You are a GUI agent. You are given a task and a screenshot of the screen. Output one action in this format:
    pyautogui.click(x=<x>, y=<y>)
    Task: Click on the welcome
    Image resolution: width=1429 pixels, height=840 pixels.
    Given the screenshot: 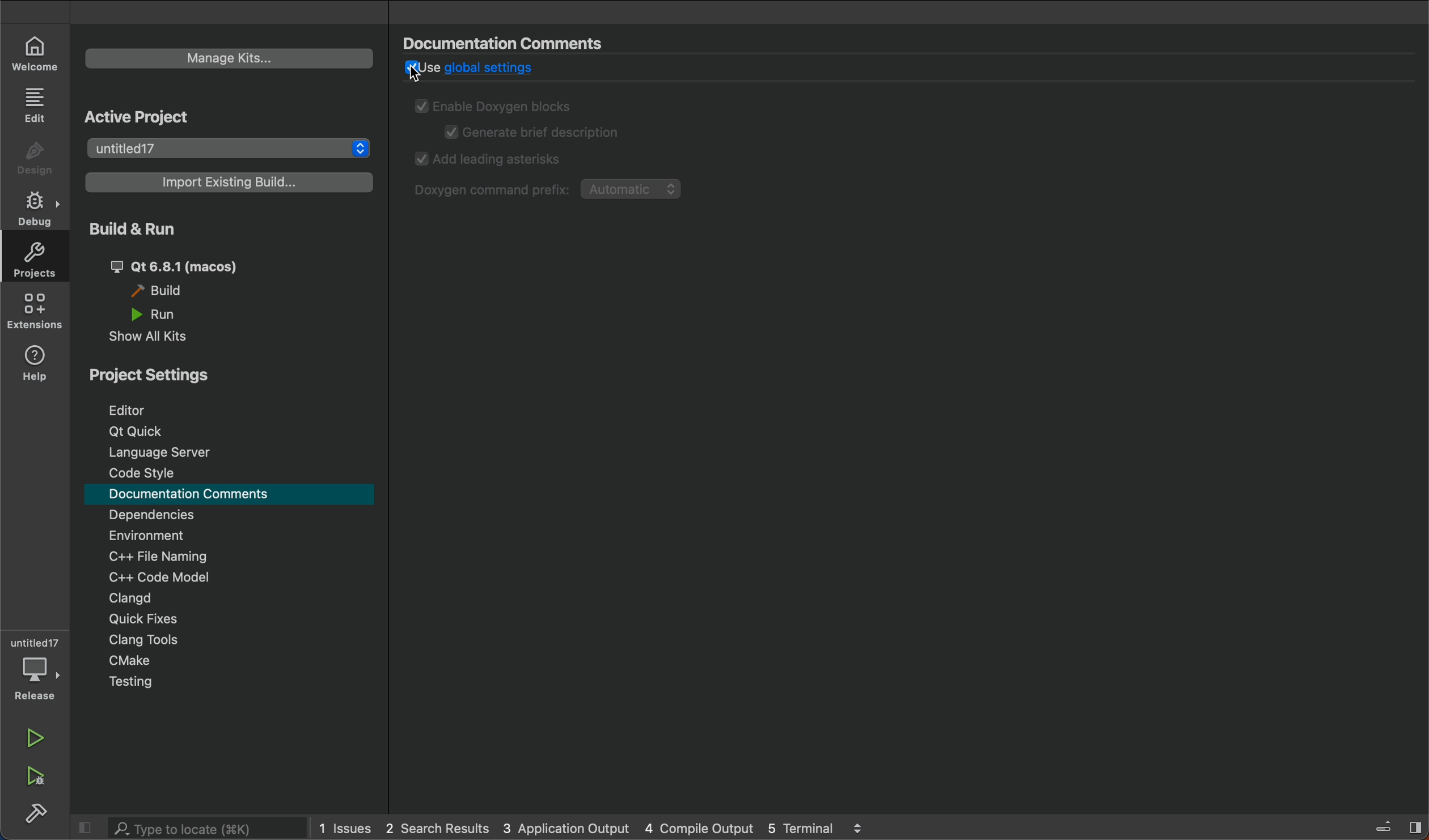 What is the action you would take?
    pyautogui.click(x=33, y=50)
    